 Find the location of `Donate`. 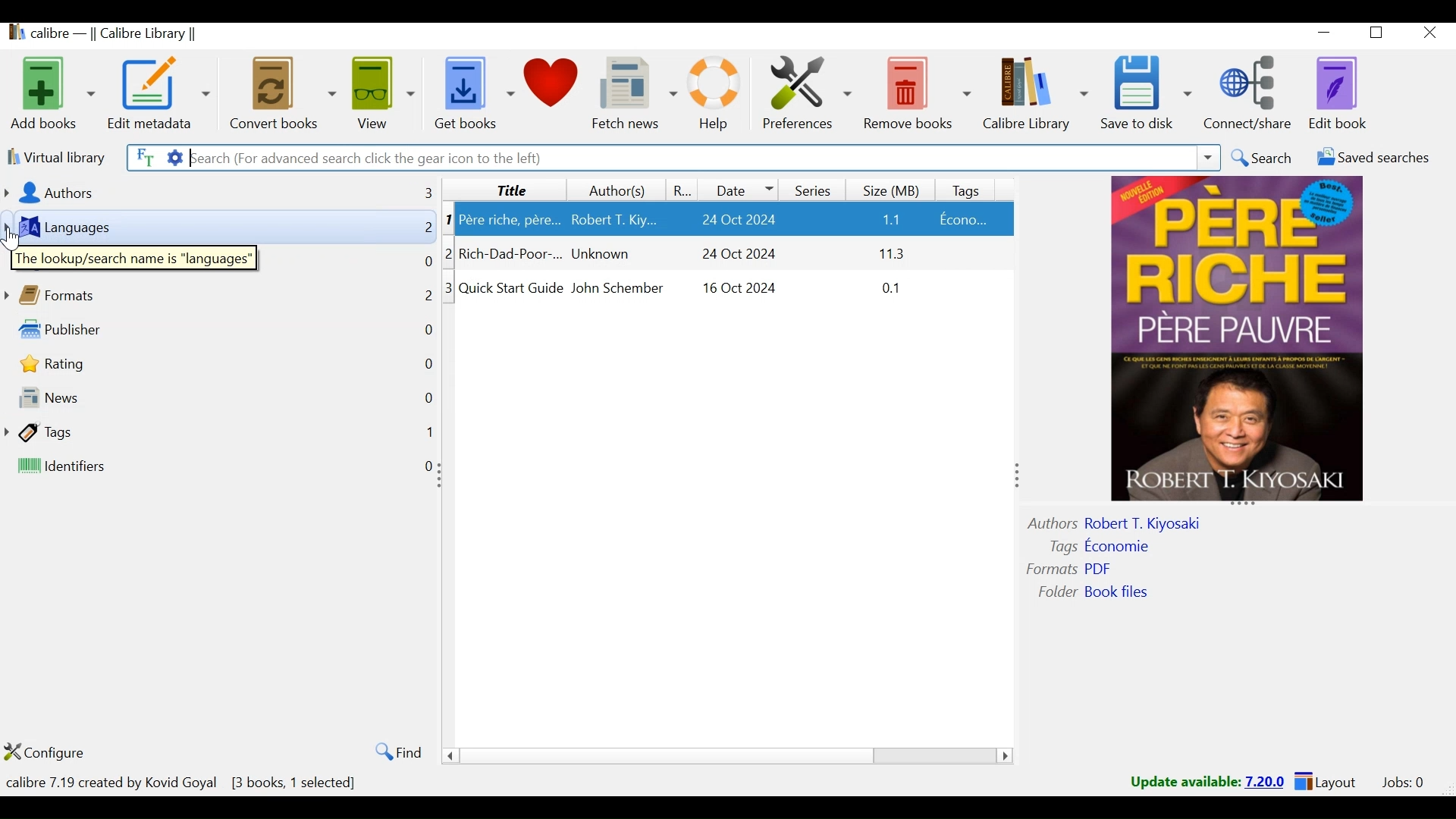

Donate is located at coordinates (554, 92).